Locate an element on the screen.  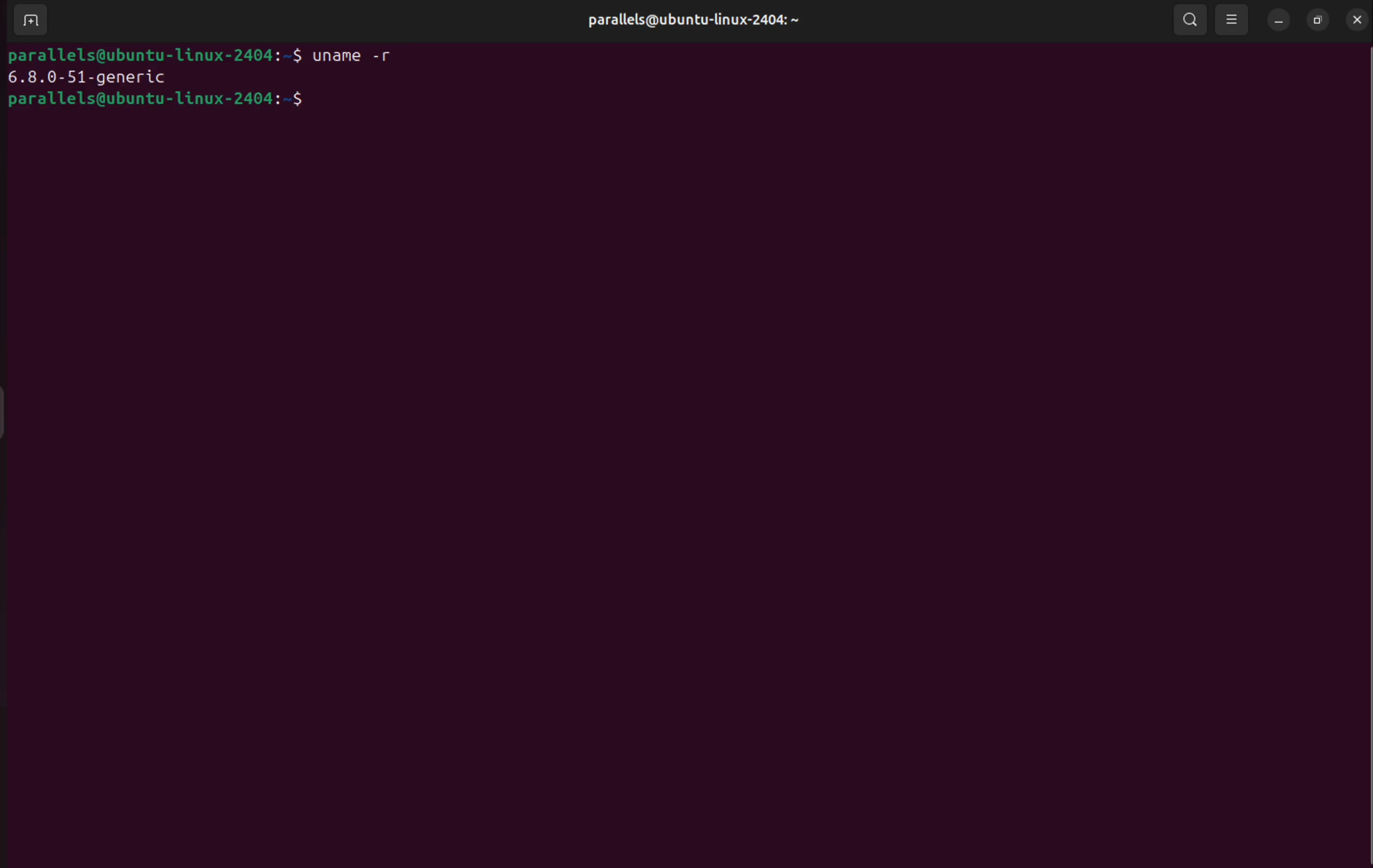
search is located at coordinates (1188, 21).